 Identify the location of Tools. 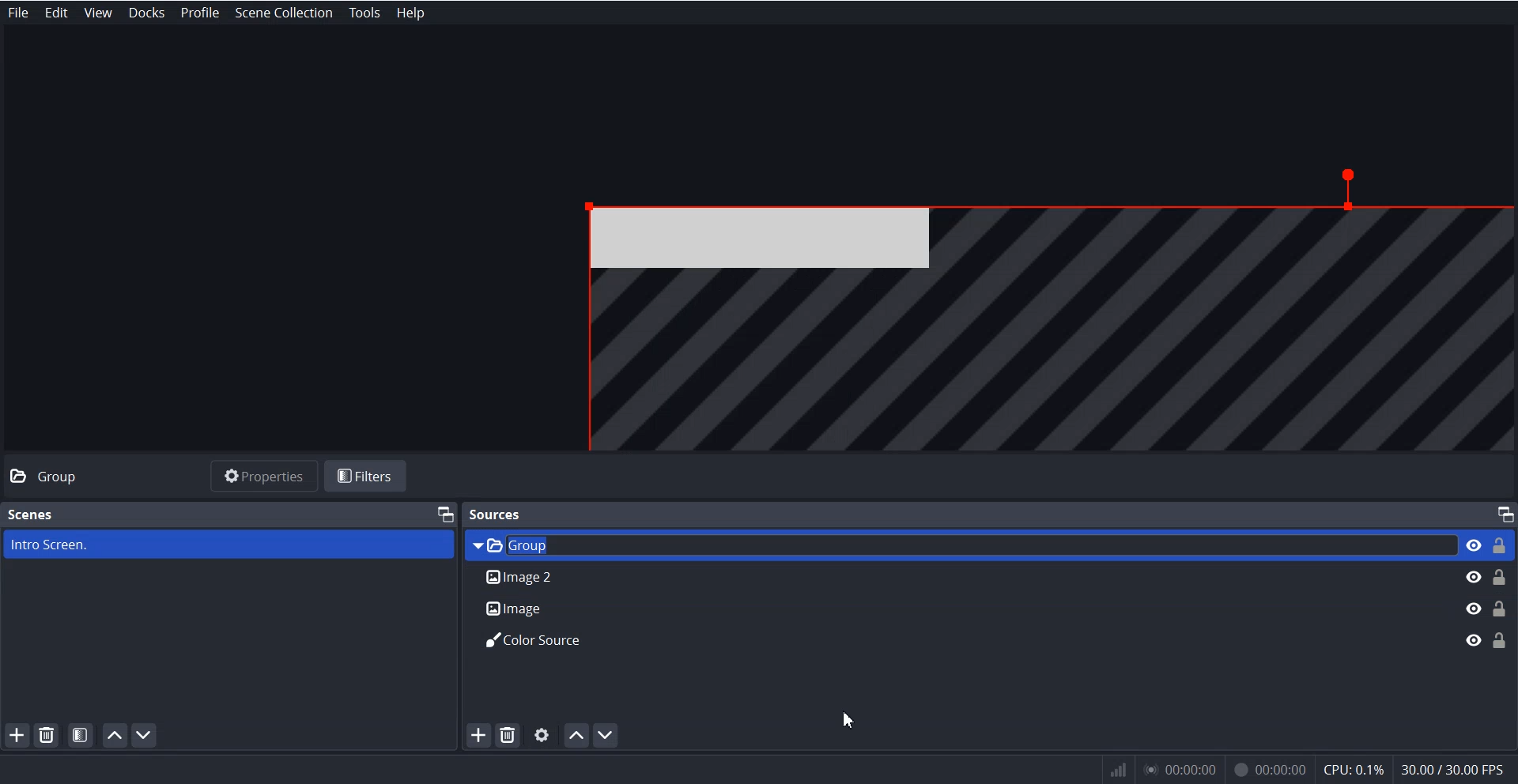
(365, 13).